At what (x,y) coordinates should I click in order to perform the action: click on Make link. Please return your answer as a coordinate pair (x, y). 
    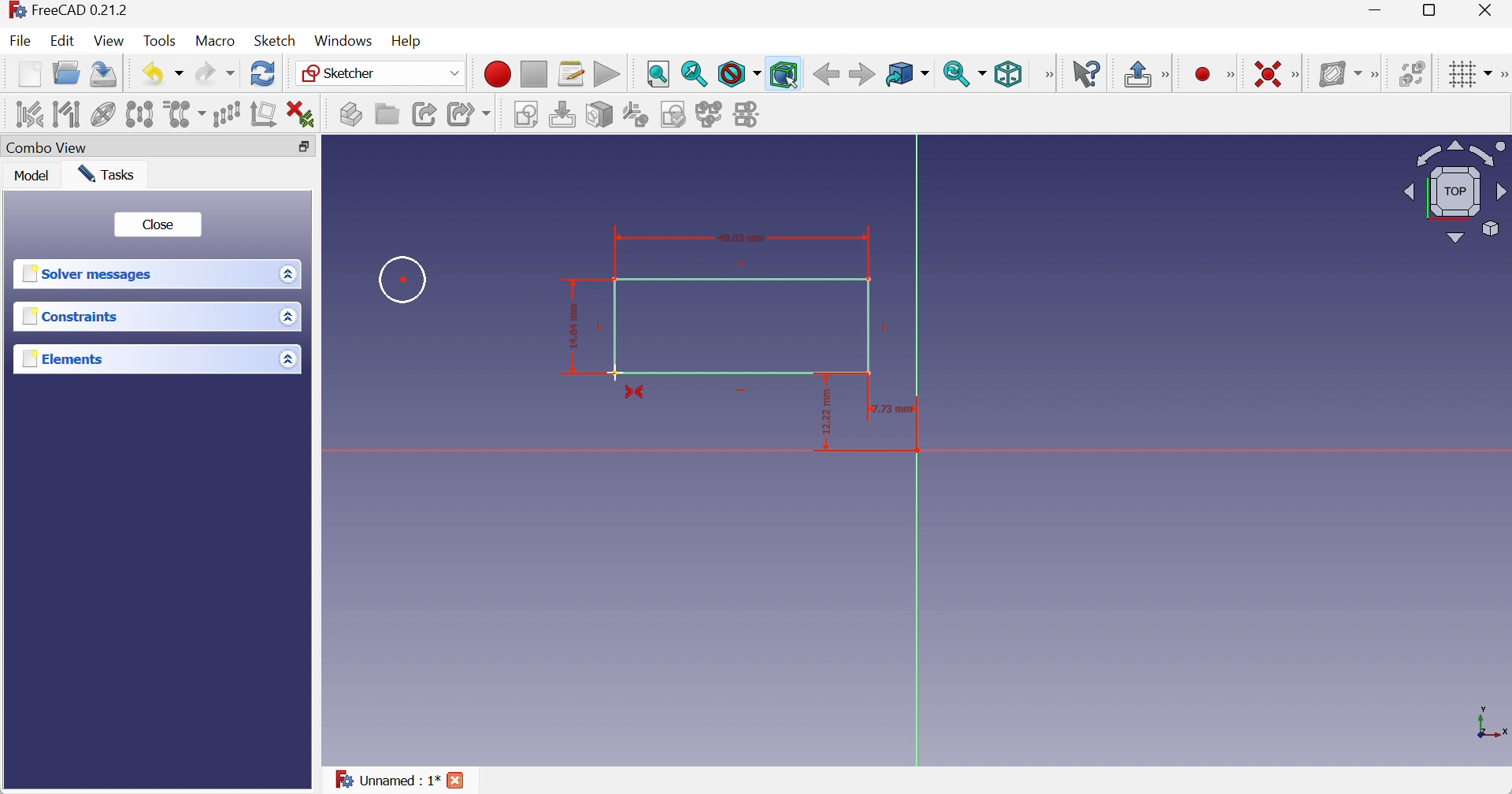
    Looking at the image, I should click on (425, 114).